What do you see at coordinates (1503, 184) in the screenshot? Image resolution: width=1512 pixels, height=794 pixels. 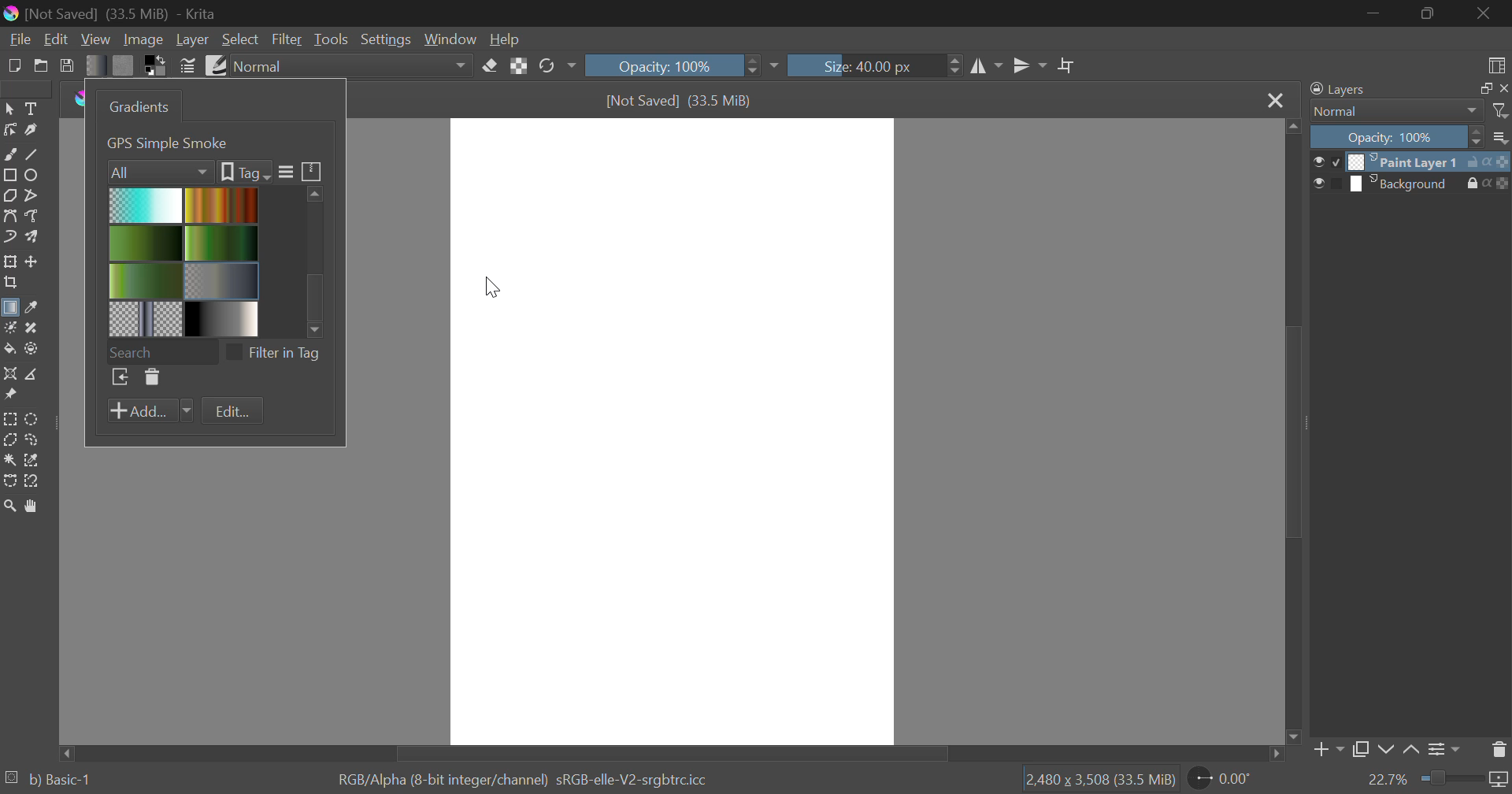 I see `icon` at bounding box center [1503, 184].